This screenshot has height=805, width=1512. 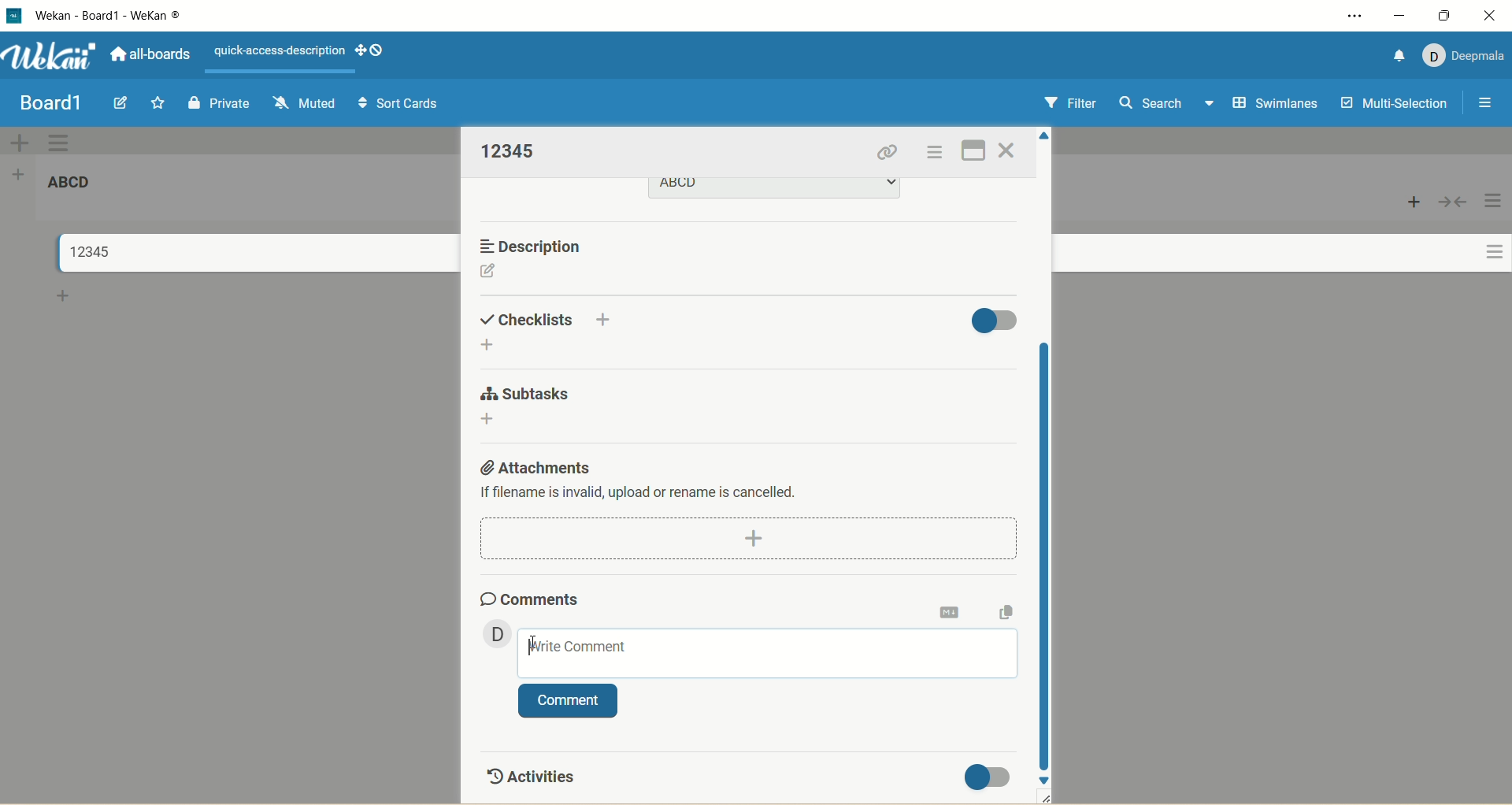 What do you see at coordinates (60, 143) in the screenshot?
I see `swimlane actions` at bounding box center [60, 143].